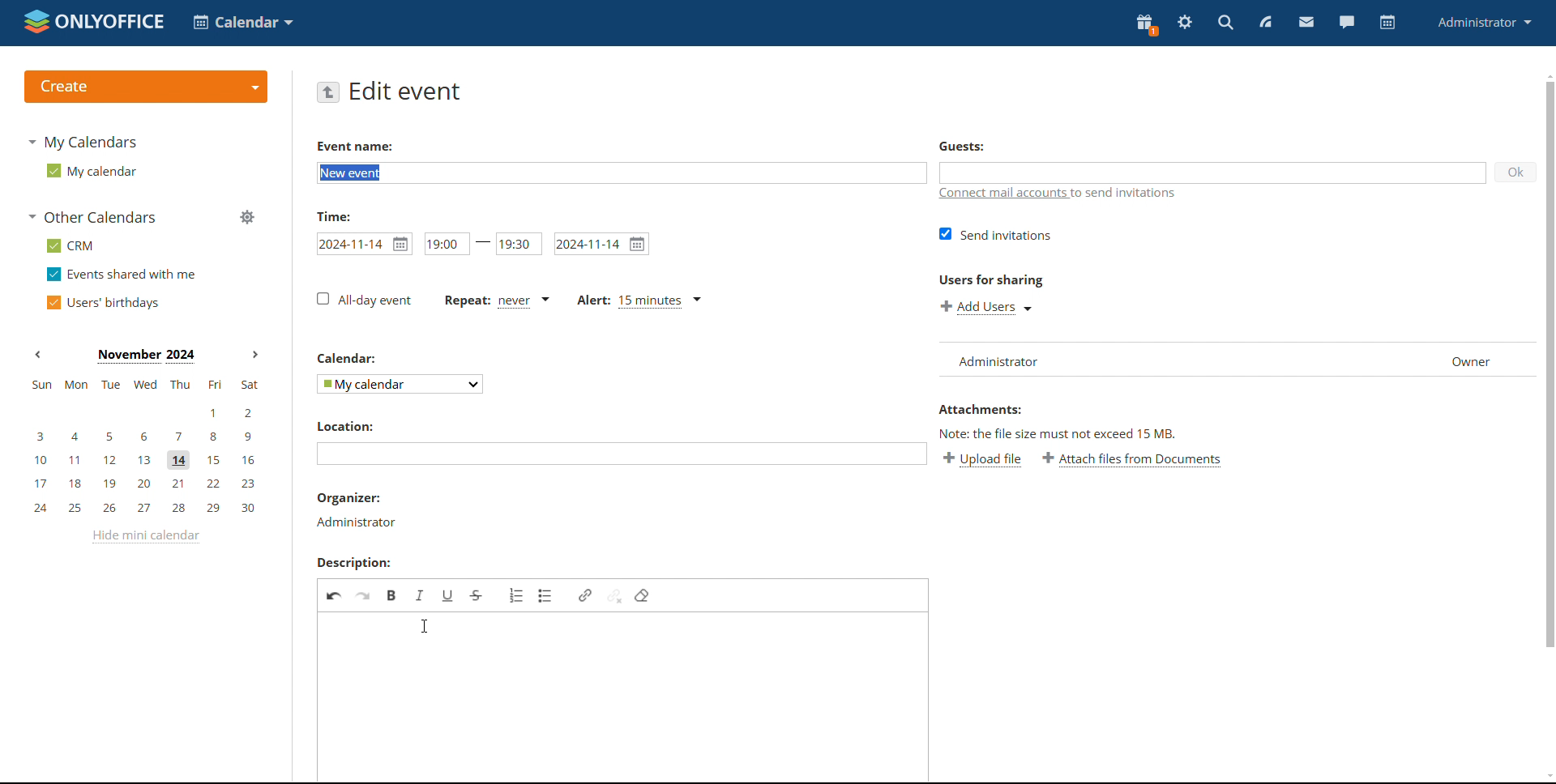 The width and height of the screenshot is (1556, 784). I want to click on my calendars, so click(80, 141).